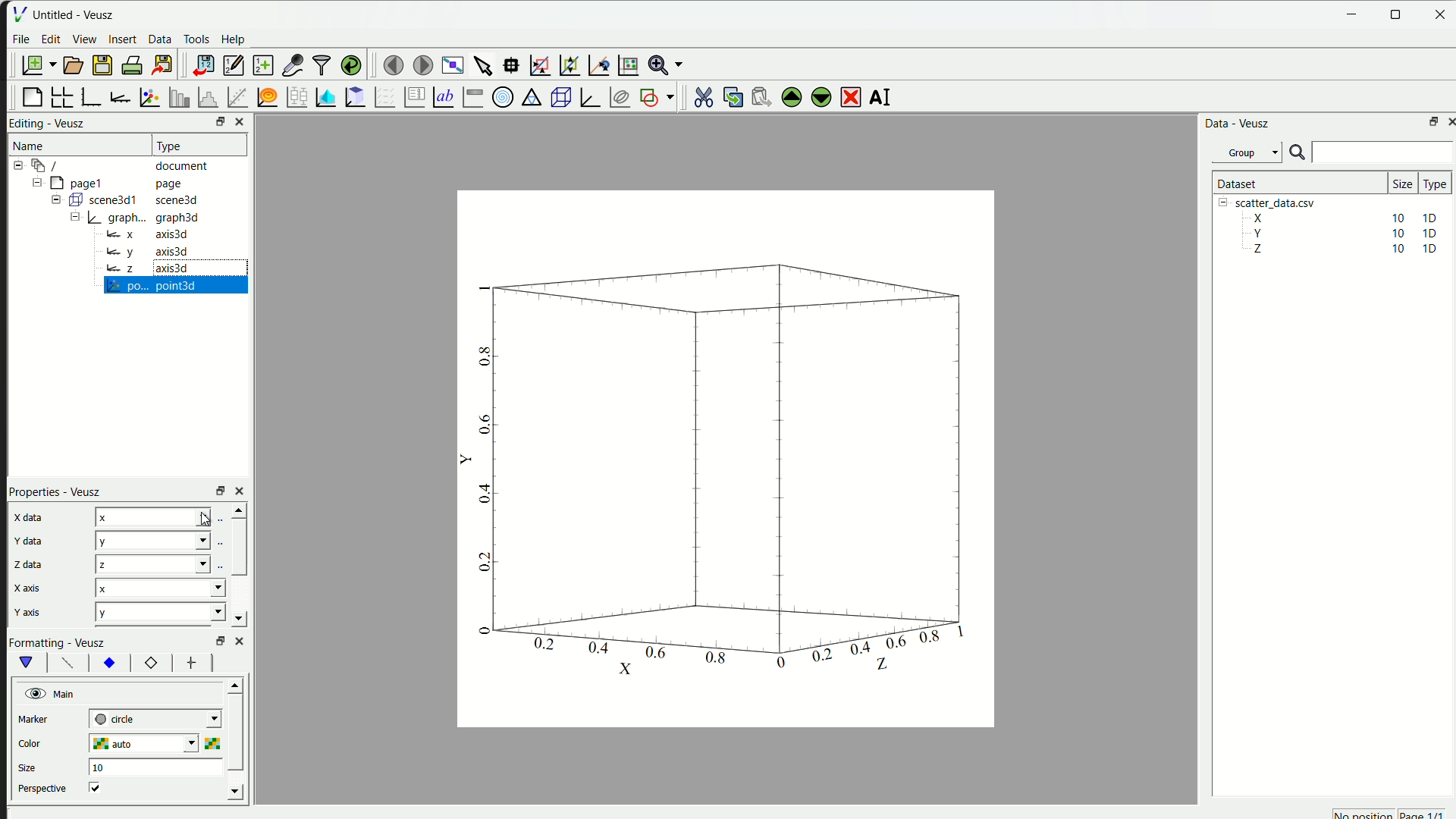 The height and width of the screenshot is (819, 1456). What do you see at coordinates (46, 742) in the screenshot?
I see `color` at bounding box center [46, 742].